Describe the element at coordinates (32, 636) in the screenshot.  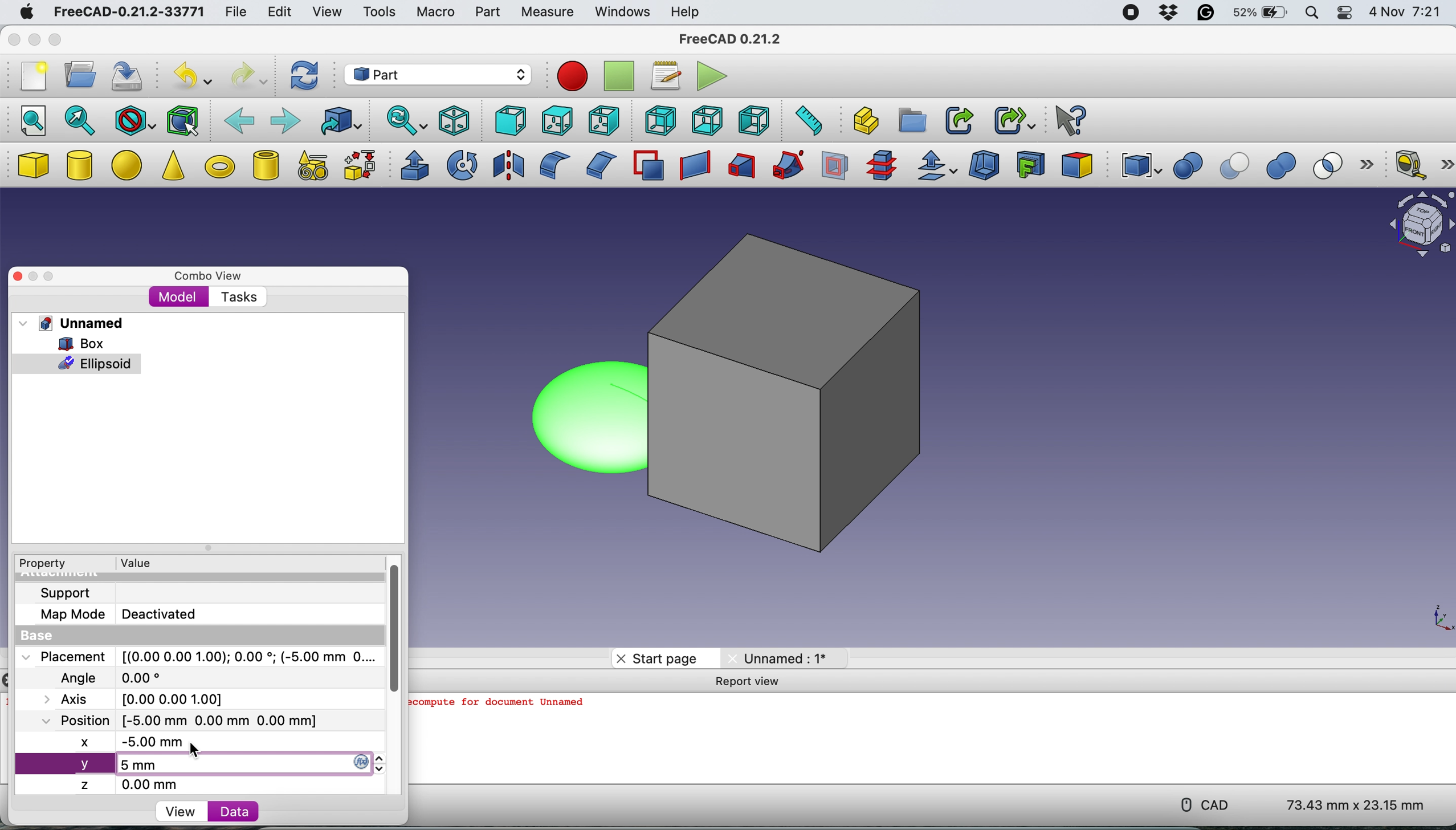
I see `base` at that location.